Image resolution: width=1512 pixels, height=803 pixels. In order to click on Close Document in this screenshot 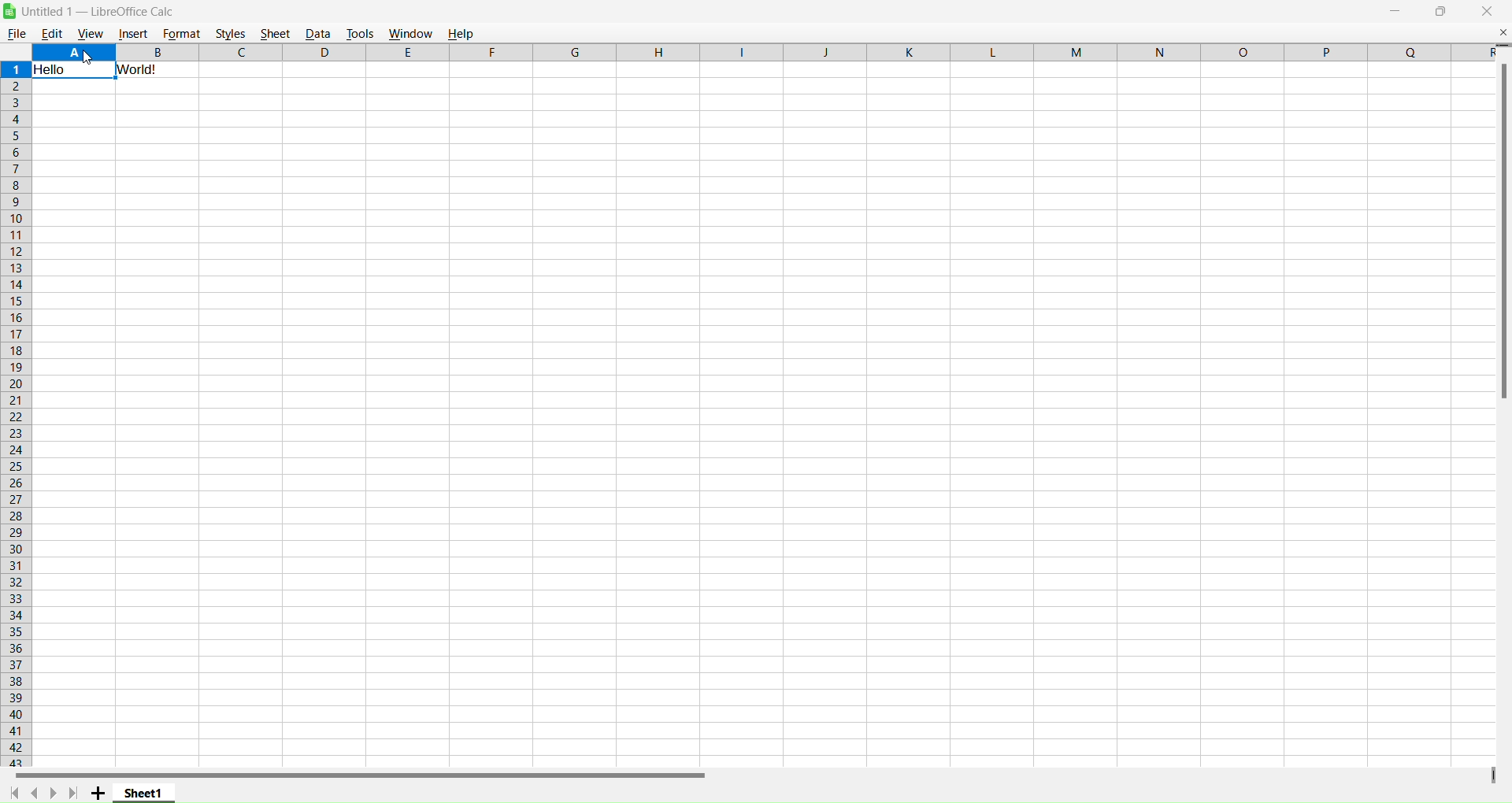, I will do `click(1503, 31)`.